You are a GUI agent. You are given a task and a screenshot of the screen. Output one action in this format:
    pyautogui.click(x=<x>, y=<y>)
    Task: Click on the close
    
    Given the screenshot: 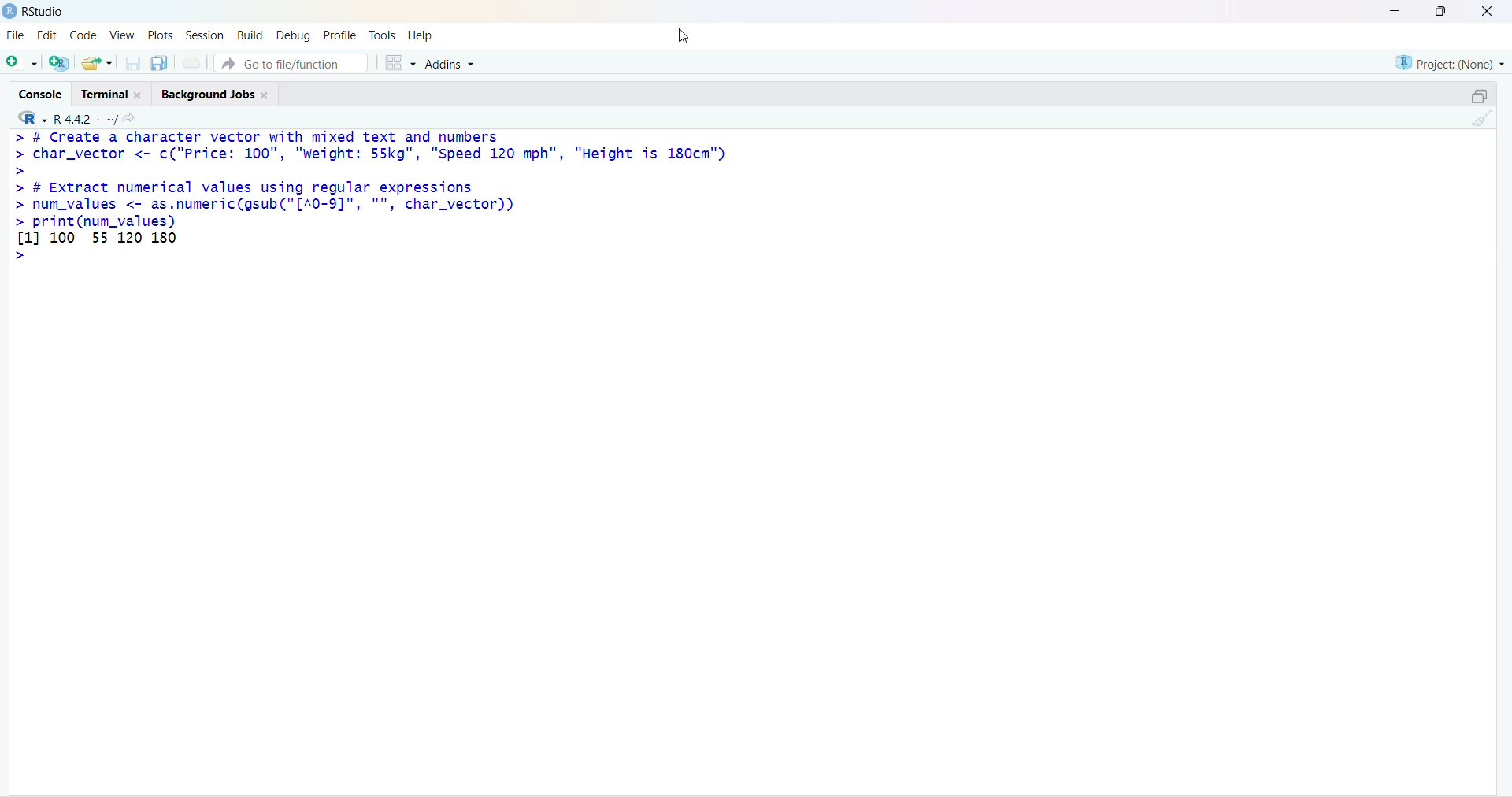 What is the action you would take?
    pyautogui.click(x=1488, y=11)
    